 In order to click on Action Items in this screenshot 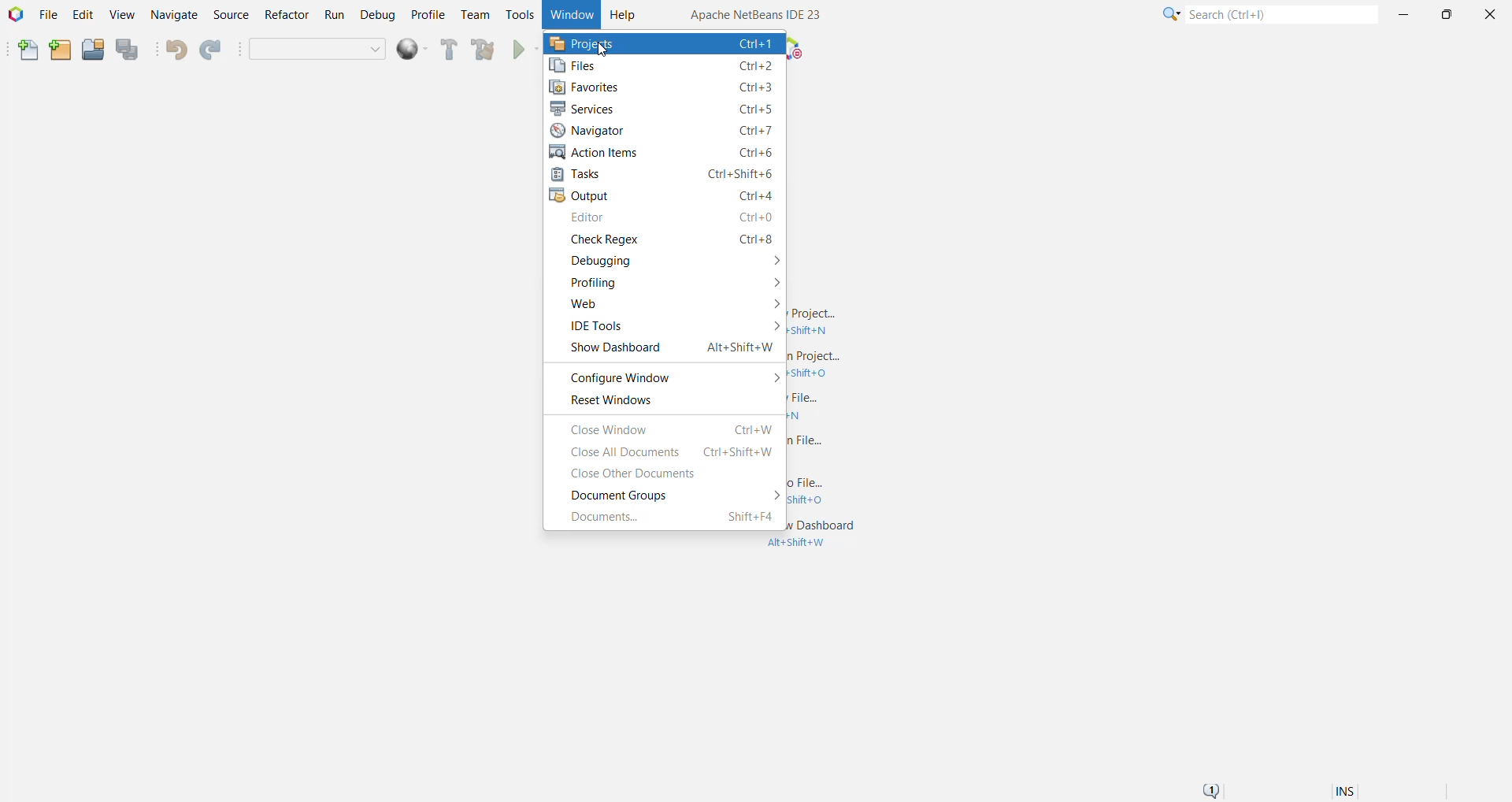, I will do `click(663, 152)`.